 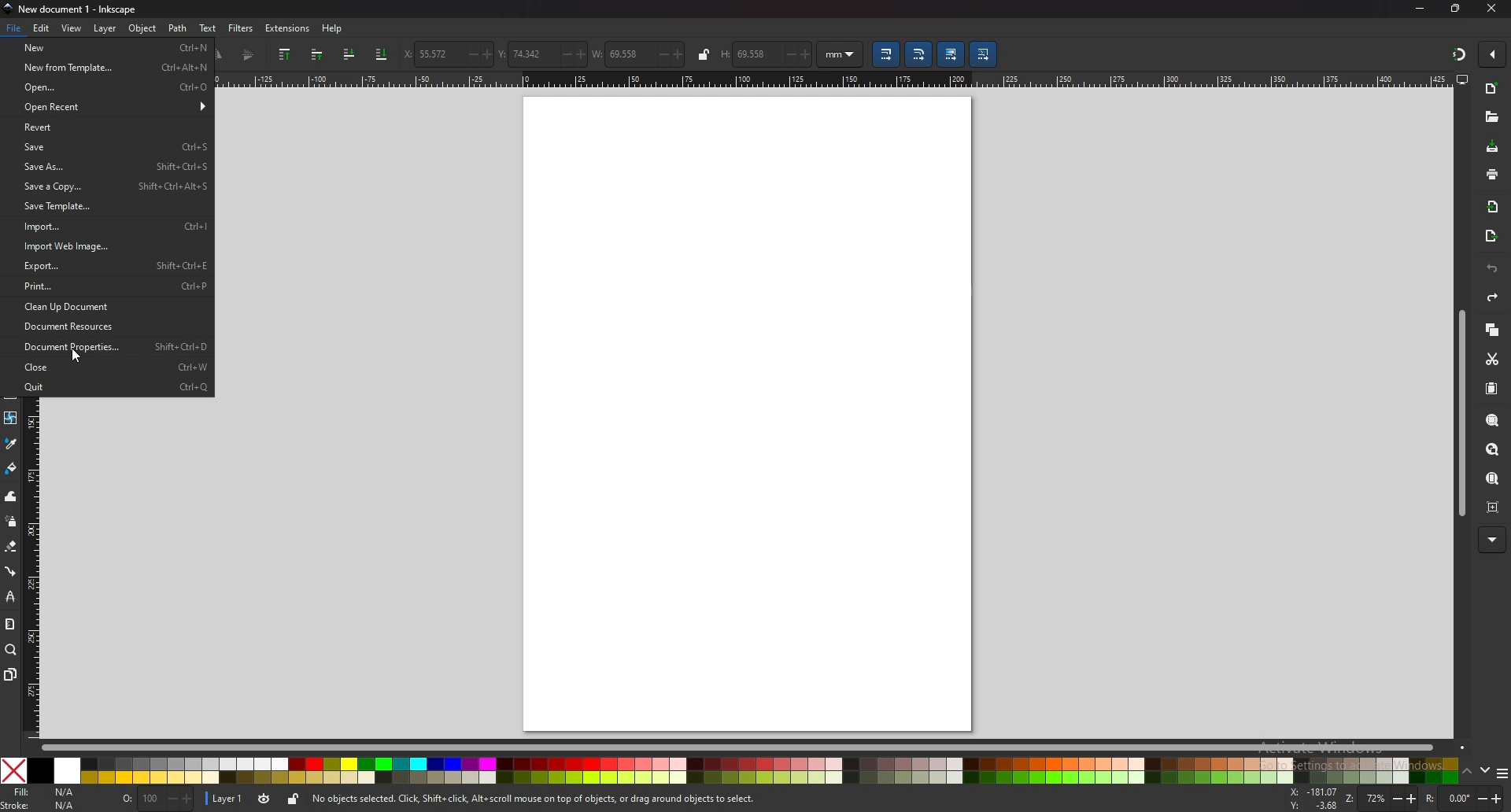 I want to click on move gradient, so click(x=885, y=54).